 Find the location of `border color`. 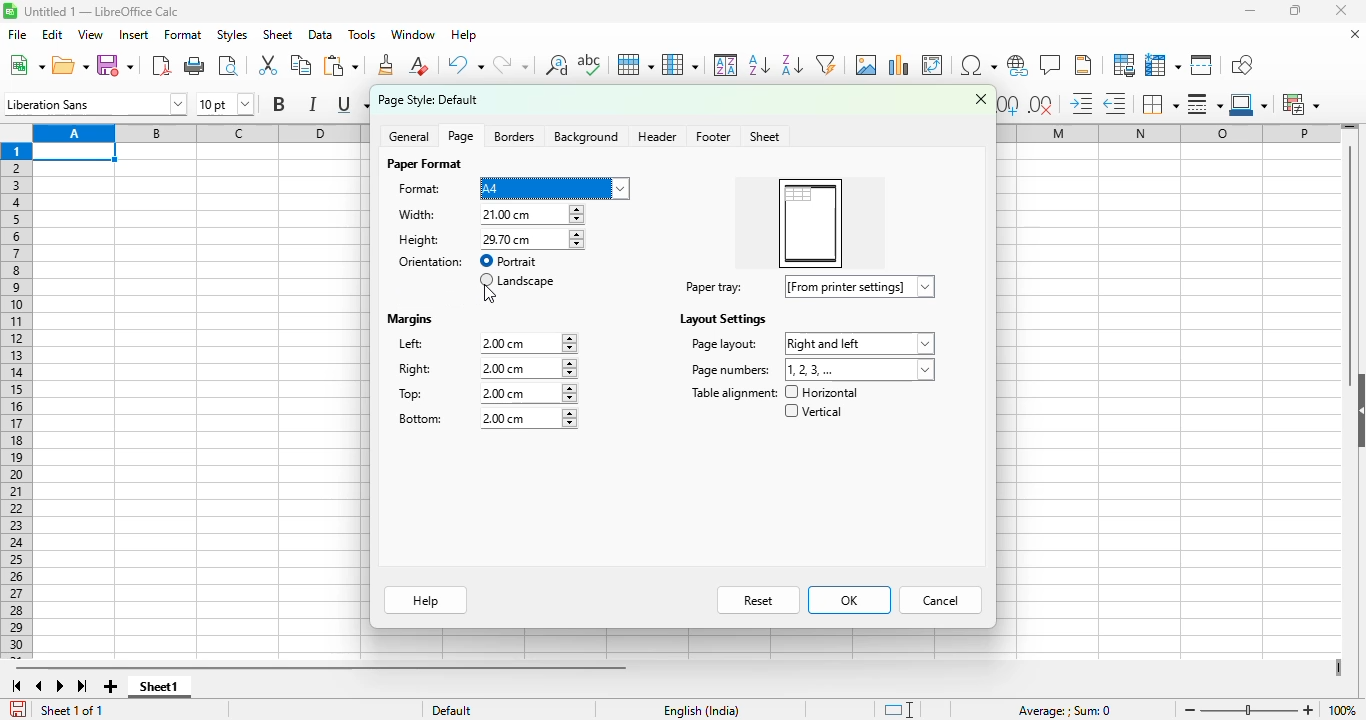

border color is located at coordinates (1248, 104).